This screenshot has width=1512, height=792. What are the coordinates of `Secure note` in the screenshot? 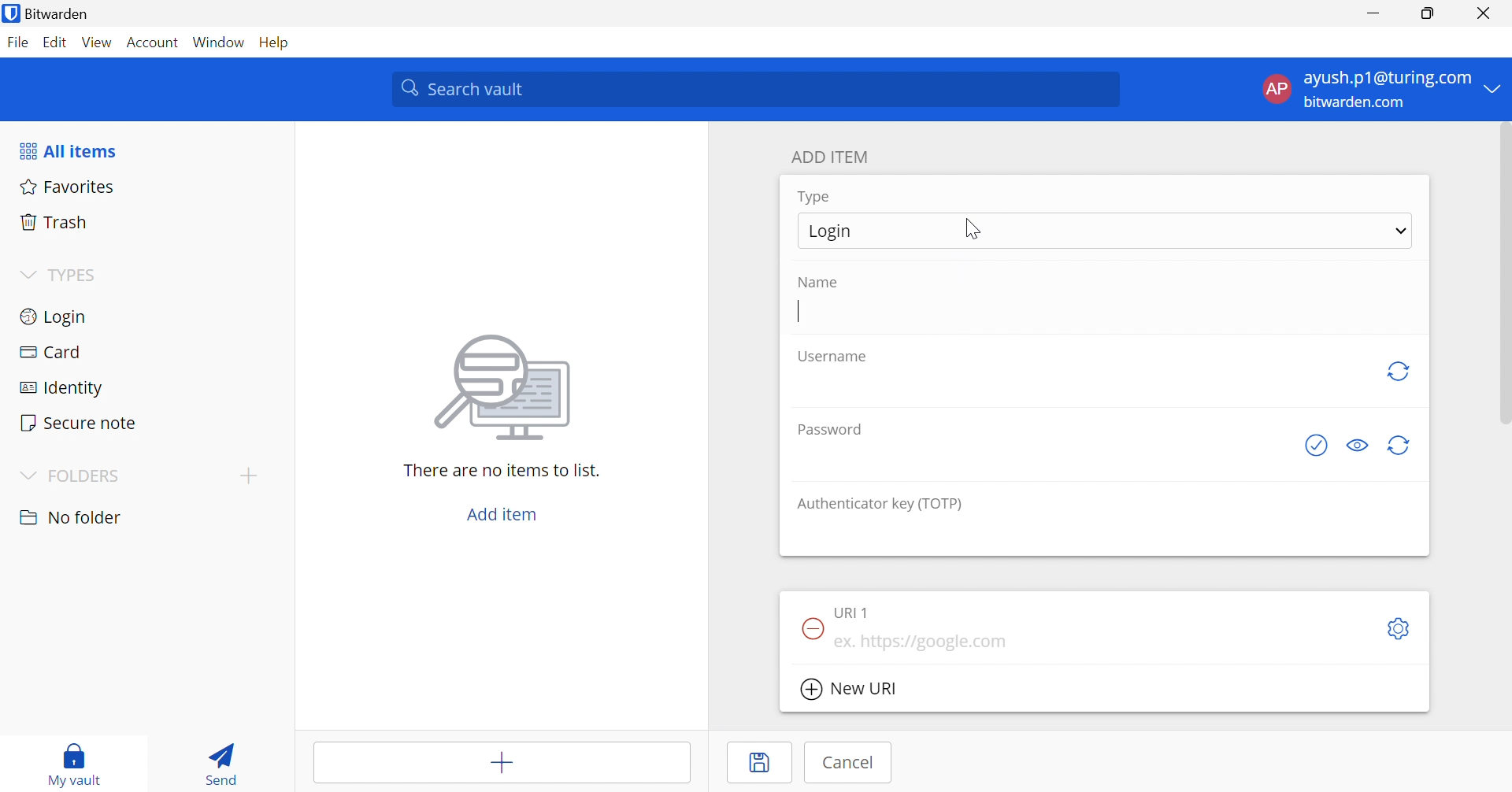 It's located at (143, 420).